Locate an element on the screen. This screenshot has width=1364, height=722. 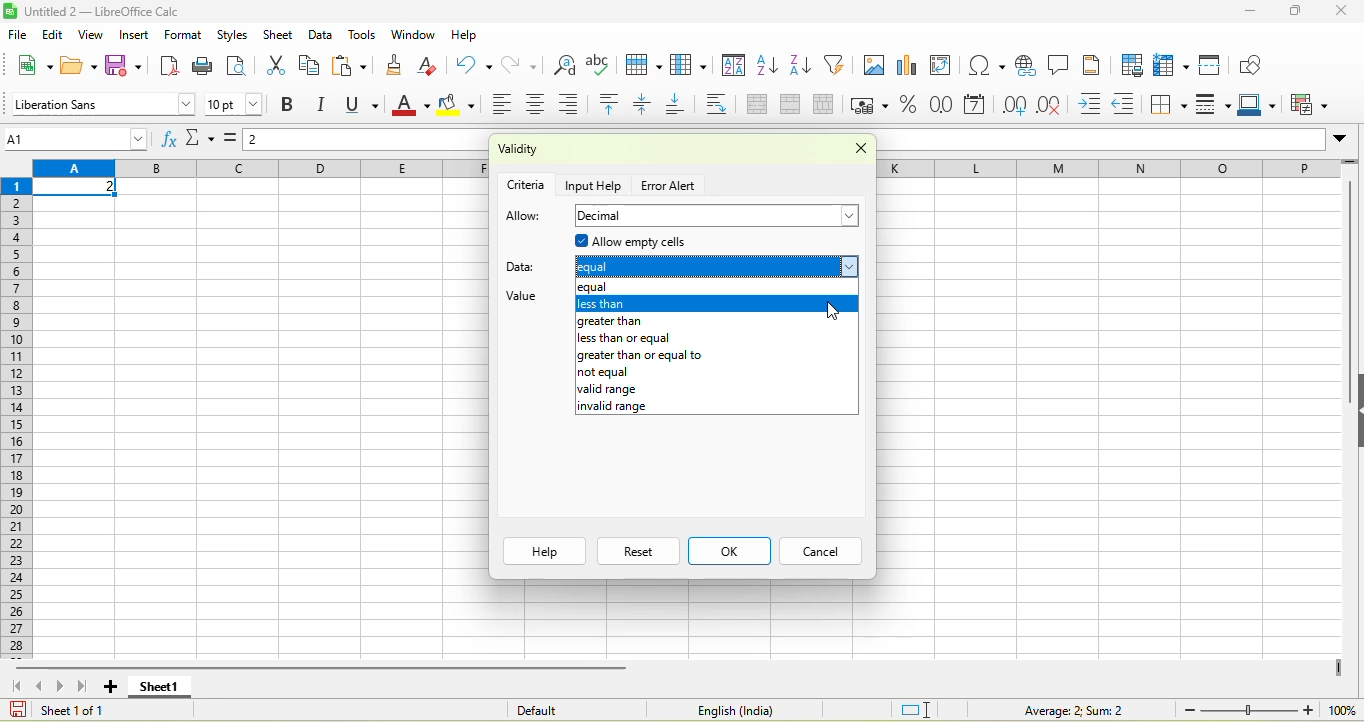
scroll top last sheet is located at coordinates (86, 686).